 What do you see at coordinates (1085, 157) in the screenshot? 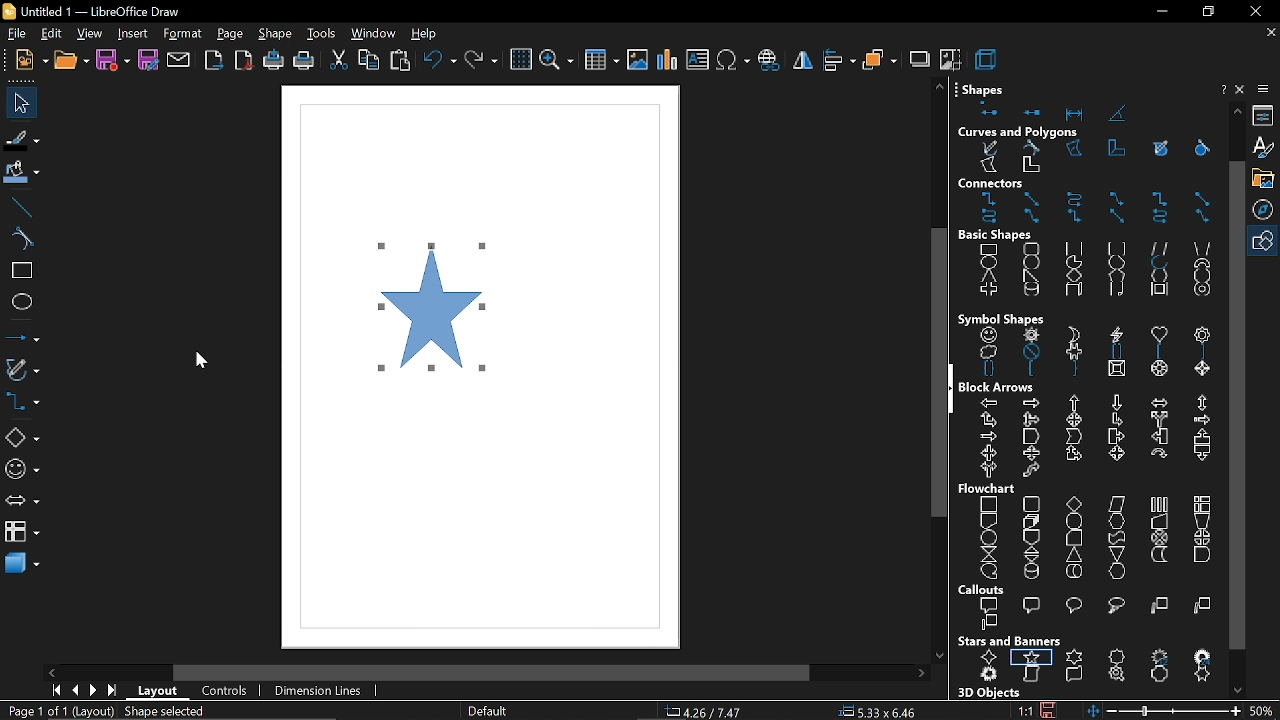
I see `curves and polygons` at bounding box center [1085, 157].